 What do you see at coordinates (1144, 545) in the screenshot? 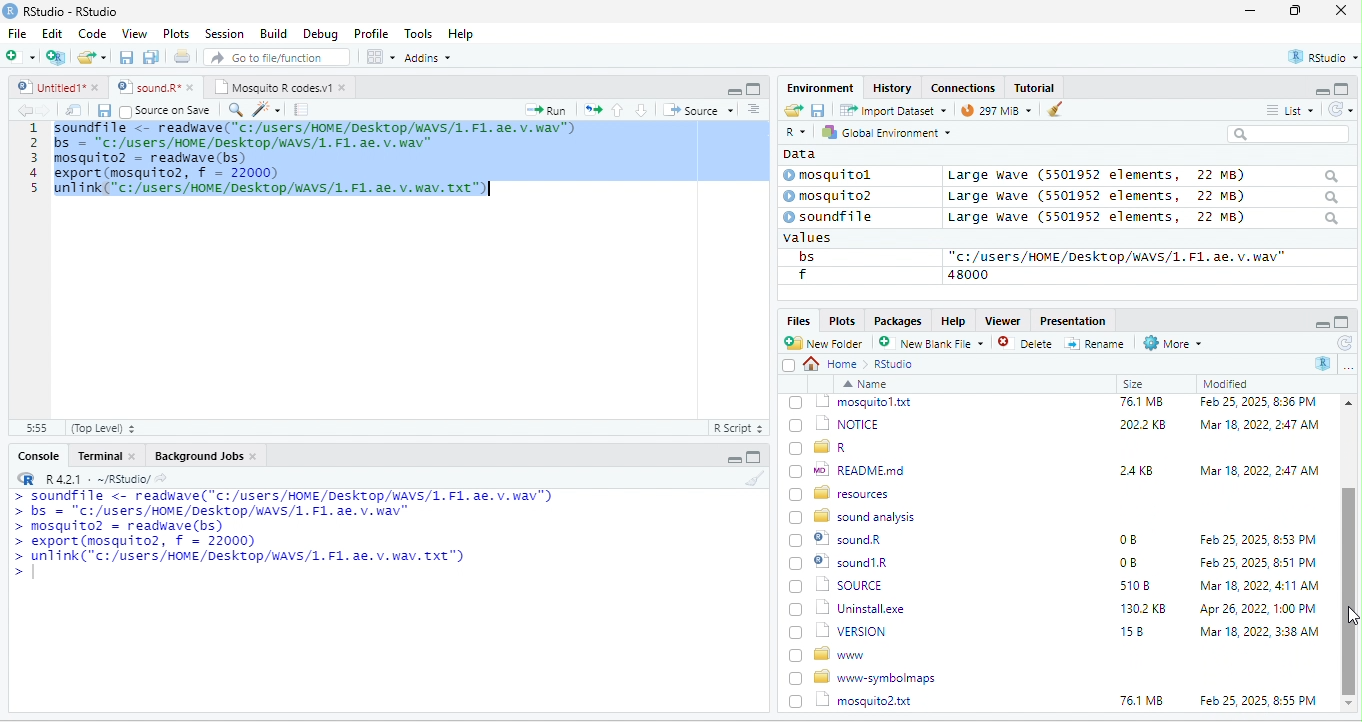
I see `2022 KB` at bounding box center [1144, 545].